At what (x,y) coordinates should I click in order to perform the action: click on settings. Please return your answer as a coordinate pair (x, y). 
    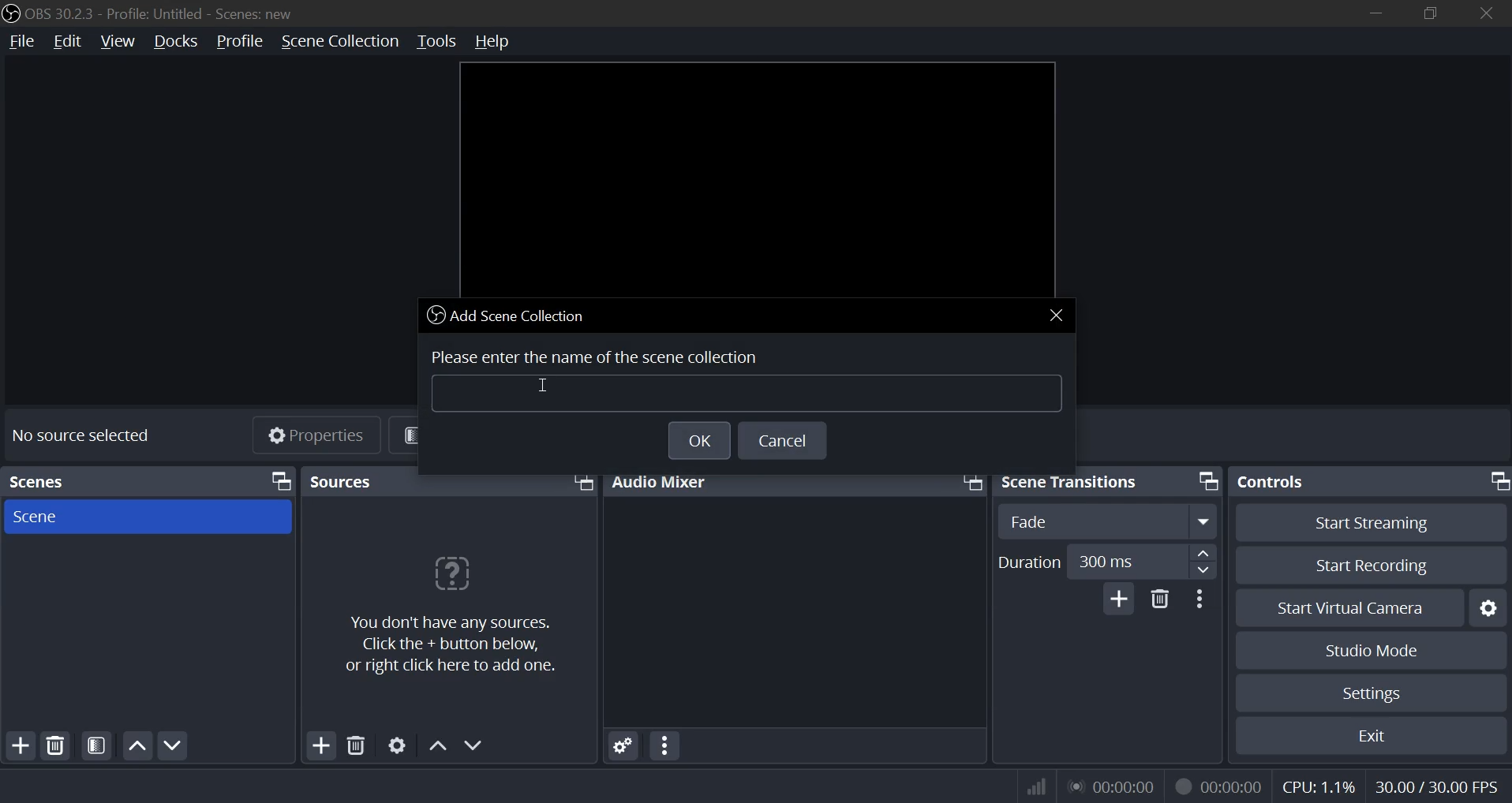
    Looking at the image, I should click on (395, 746).